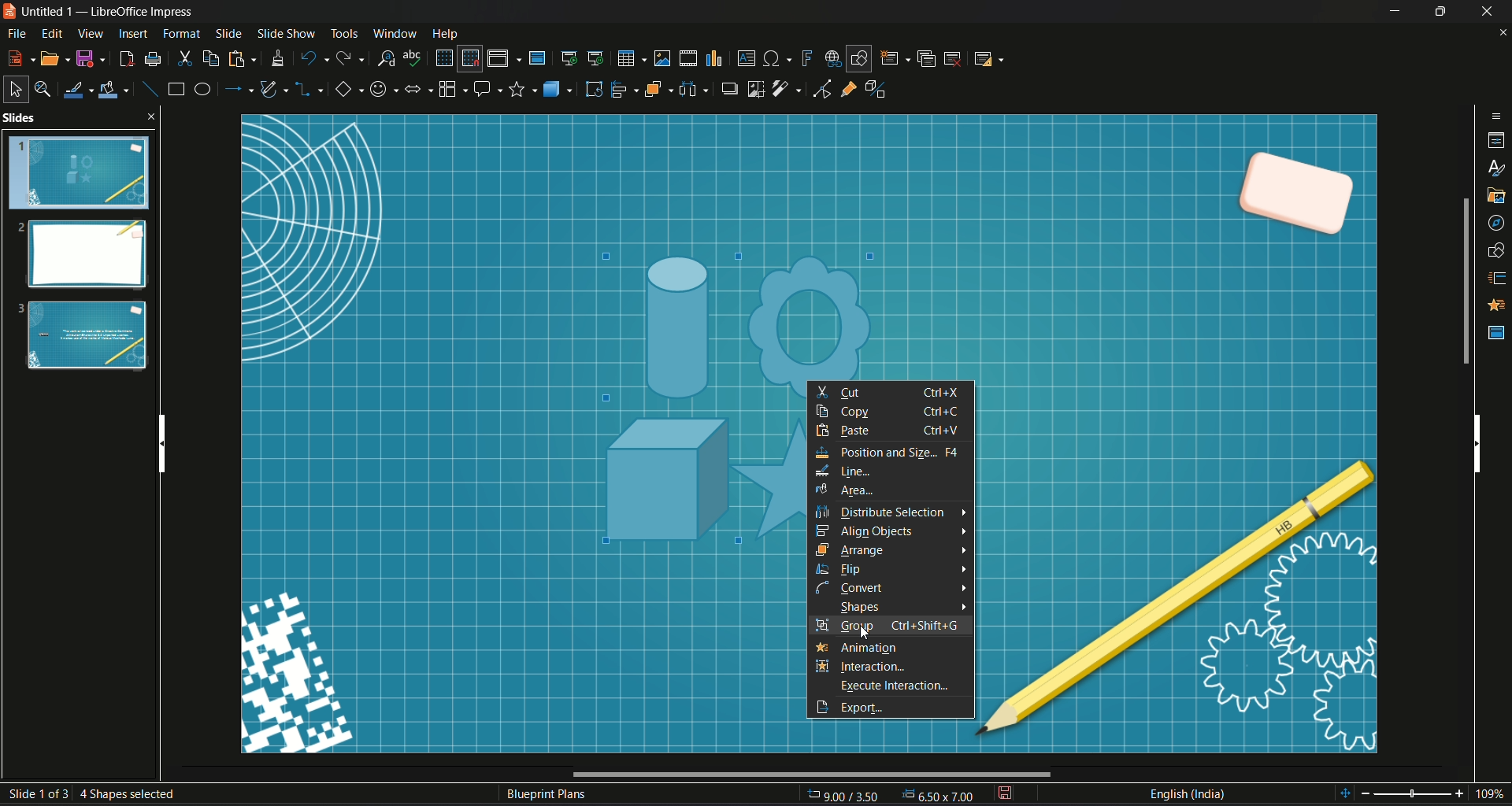 This screenshot has width=1512, height=806. I want to click on interaction, so click(821, 665).